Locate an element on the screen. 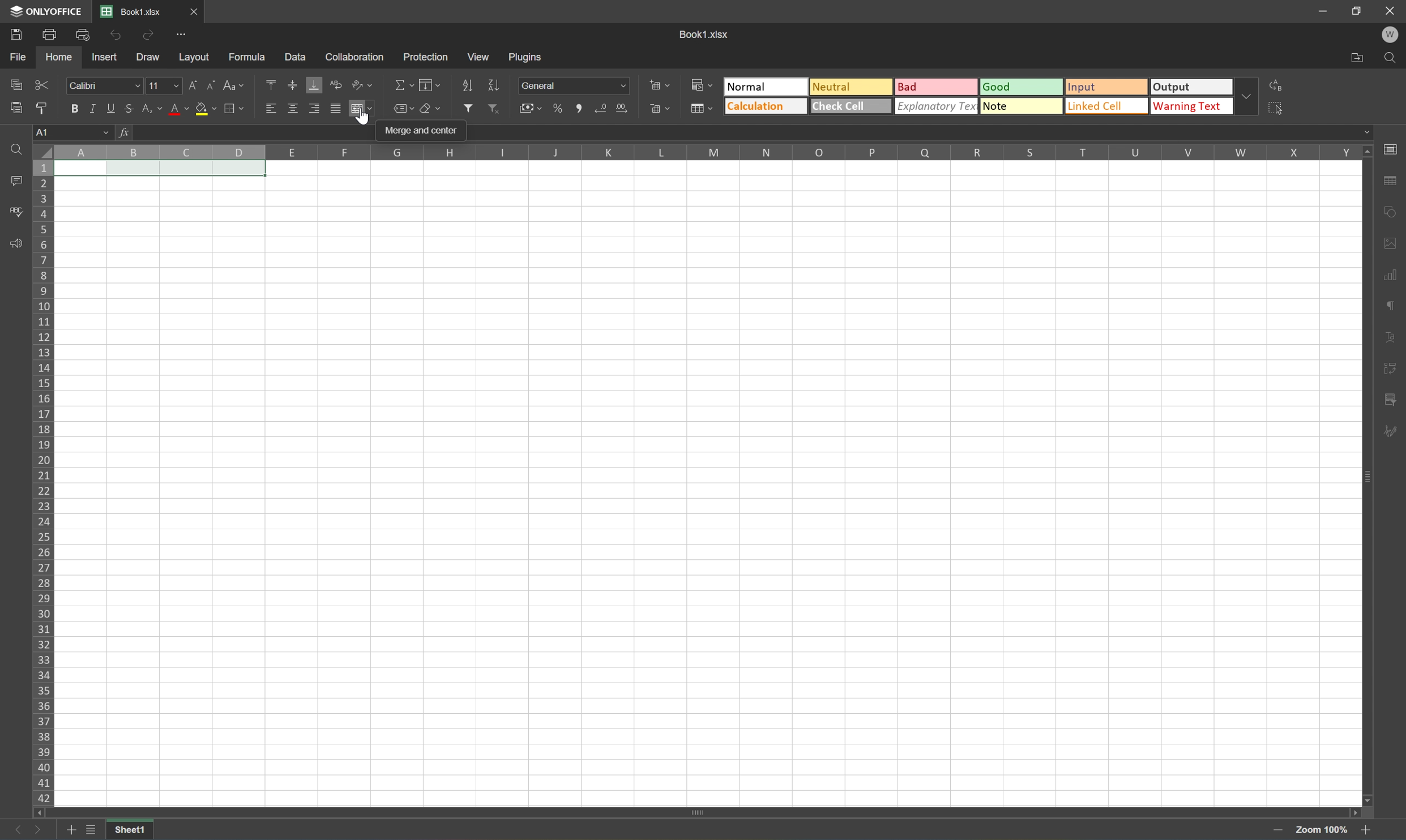 The width and height of the screenshot is (1406, 840). CELLS A1 TO D1 is located at coordinates (161, 170).